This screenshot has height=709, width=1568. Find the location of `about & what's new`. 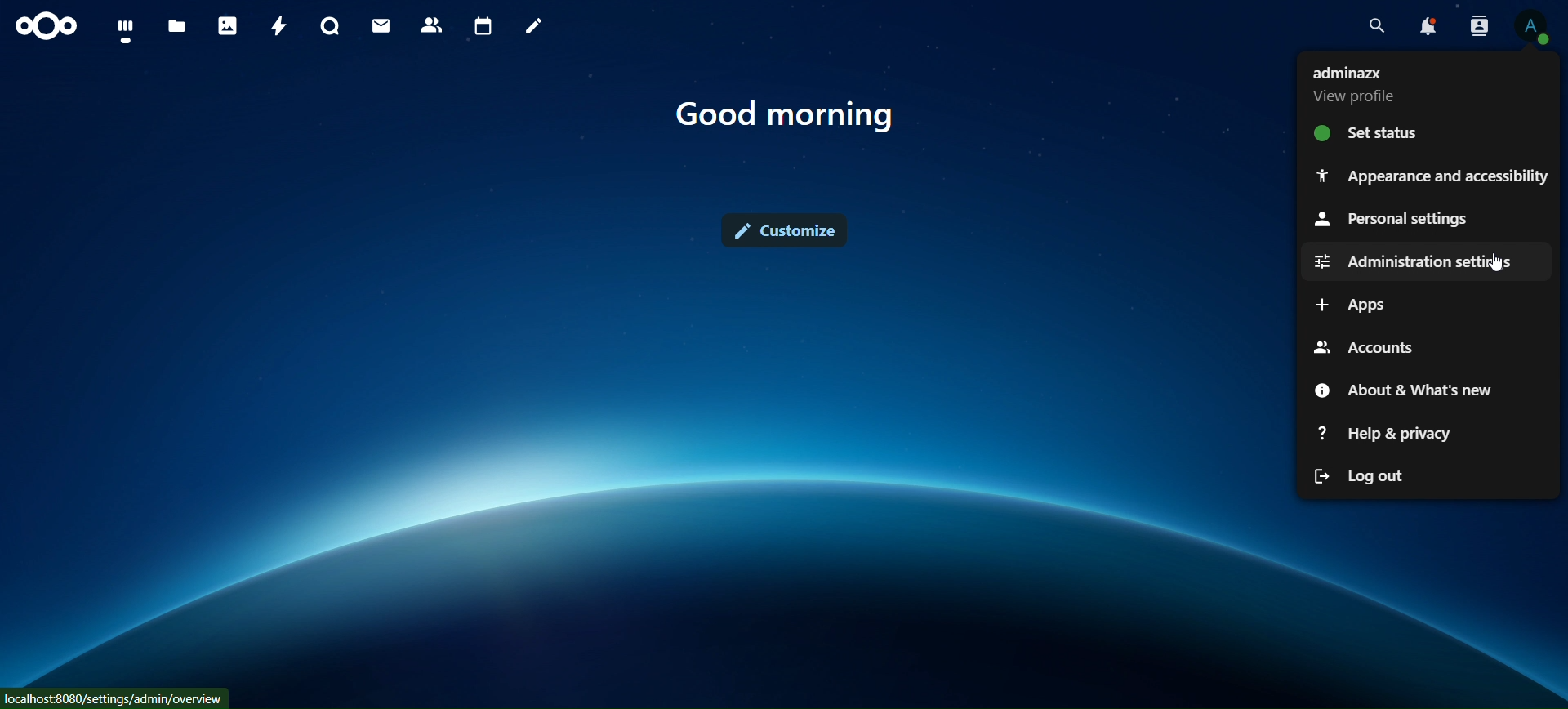

about & what's new is located at coordinates (1403, 389).